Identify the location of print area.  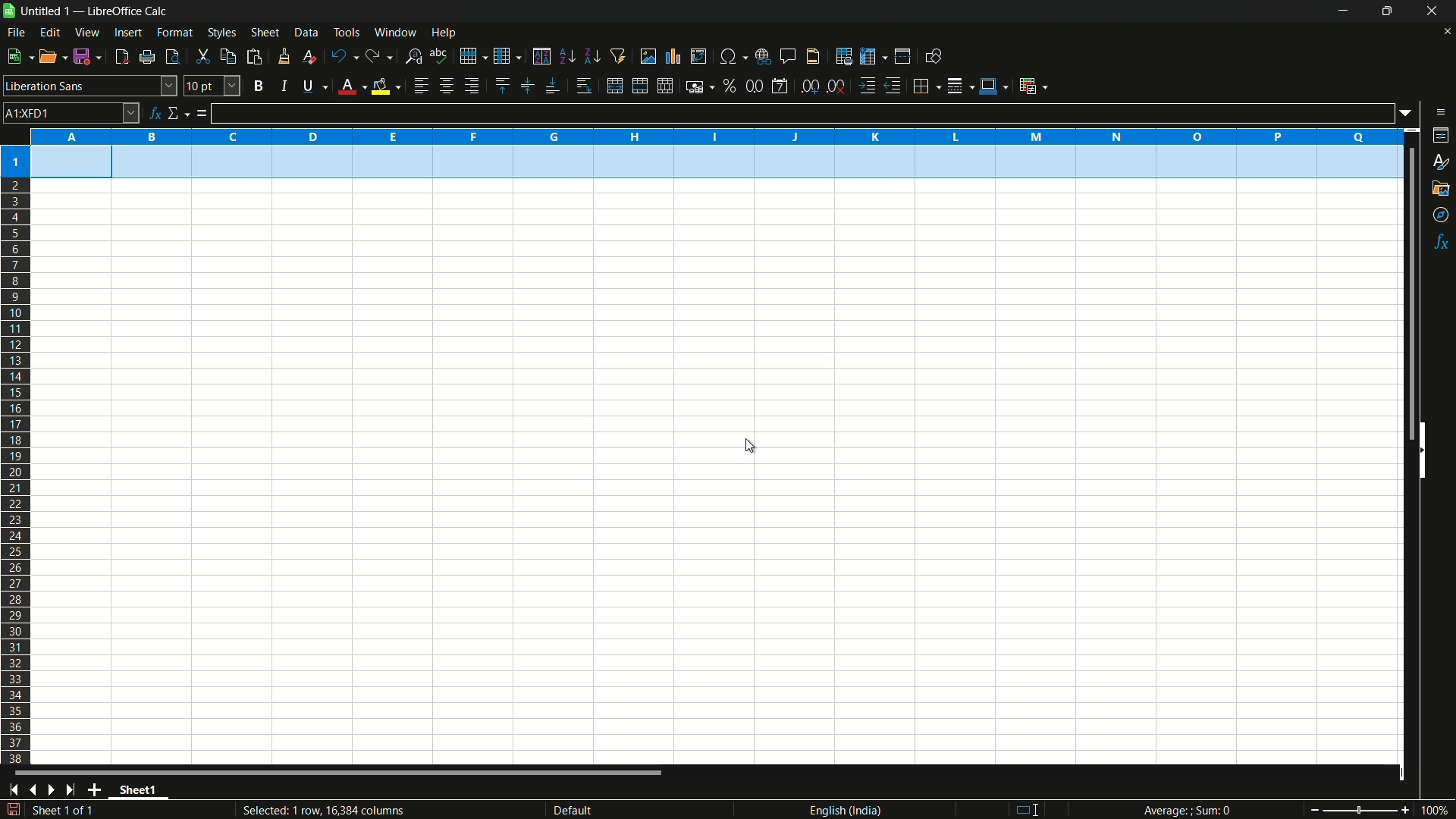
(844, 56).